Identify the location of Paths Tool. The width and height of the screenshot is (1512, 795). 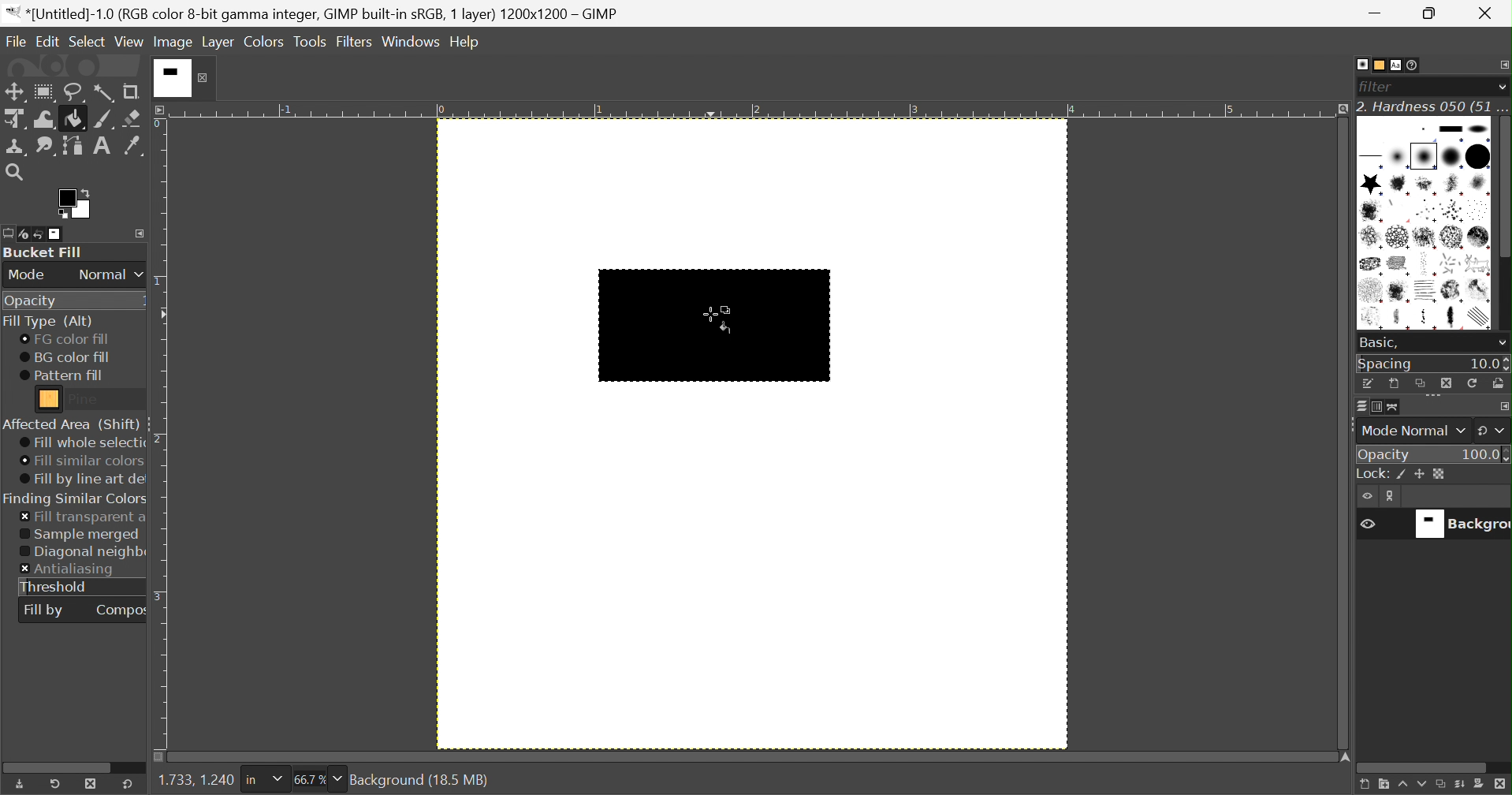
(71, 146).